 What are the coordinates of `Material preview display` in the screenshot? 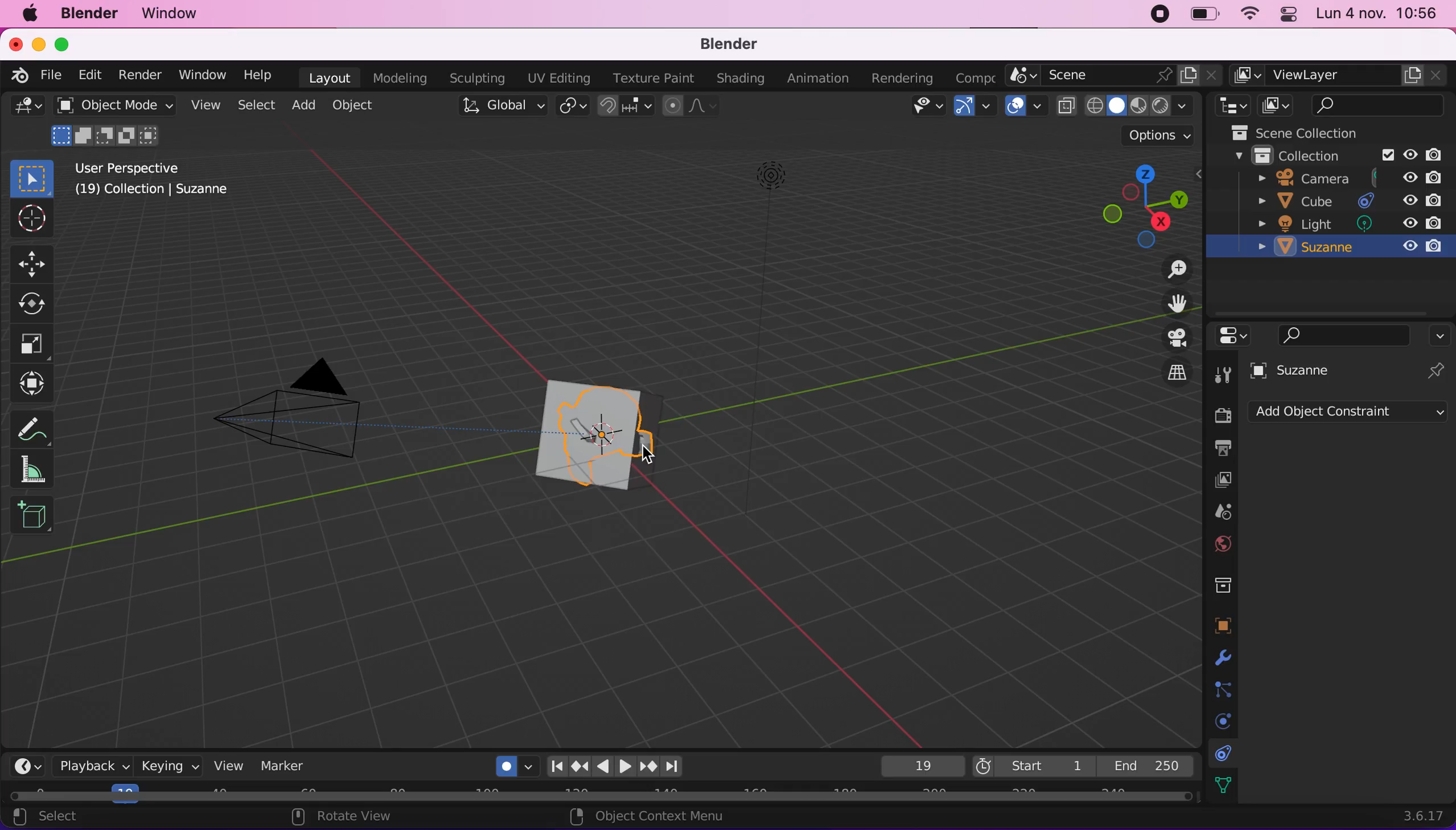 It's located at (1139, 104).